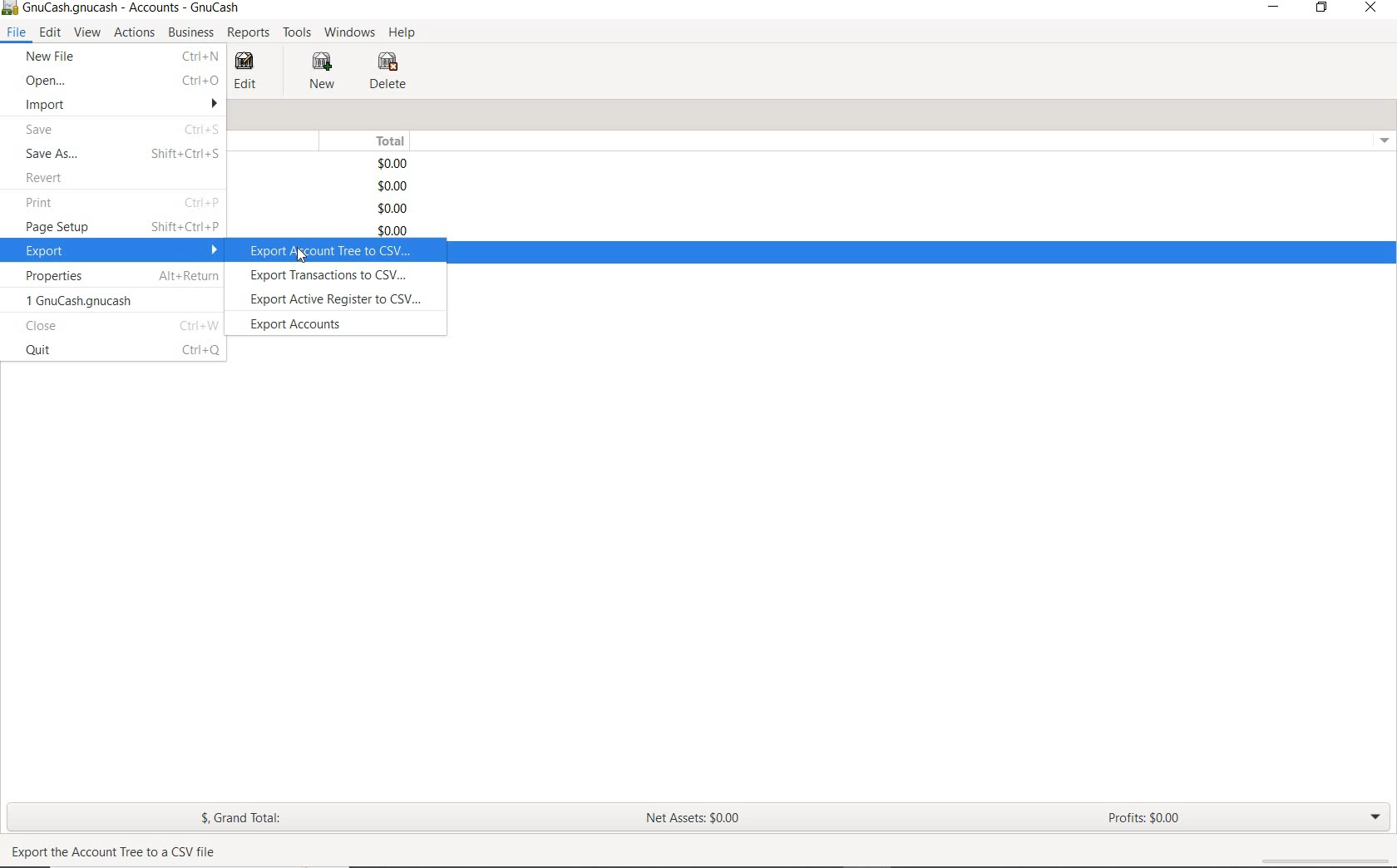  Describe the element at coordinates (211, 250) in the screenshot. I see `drop down` at that location.